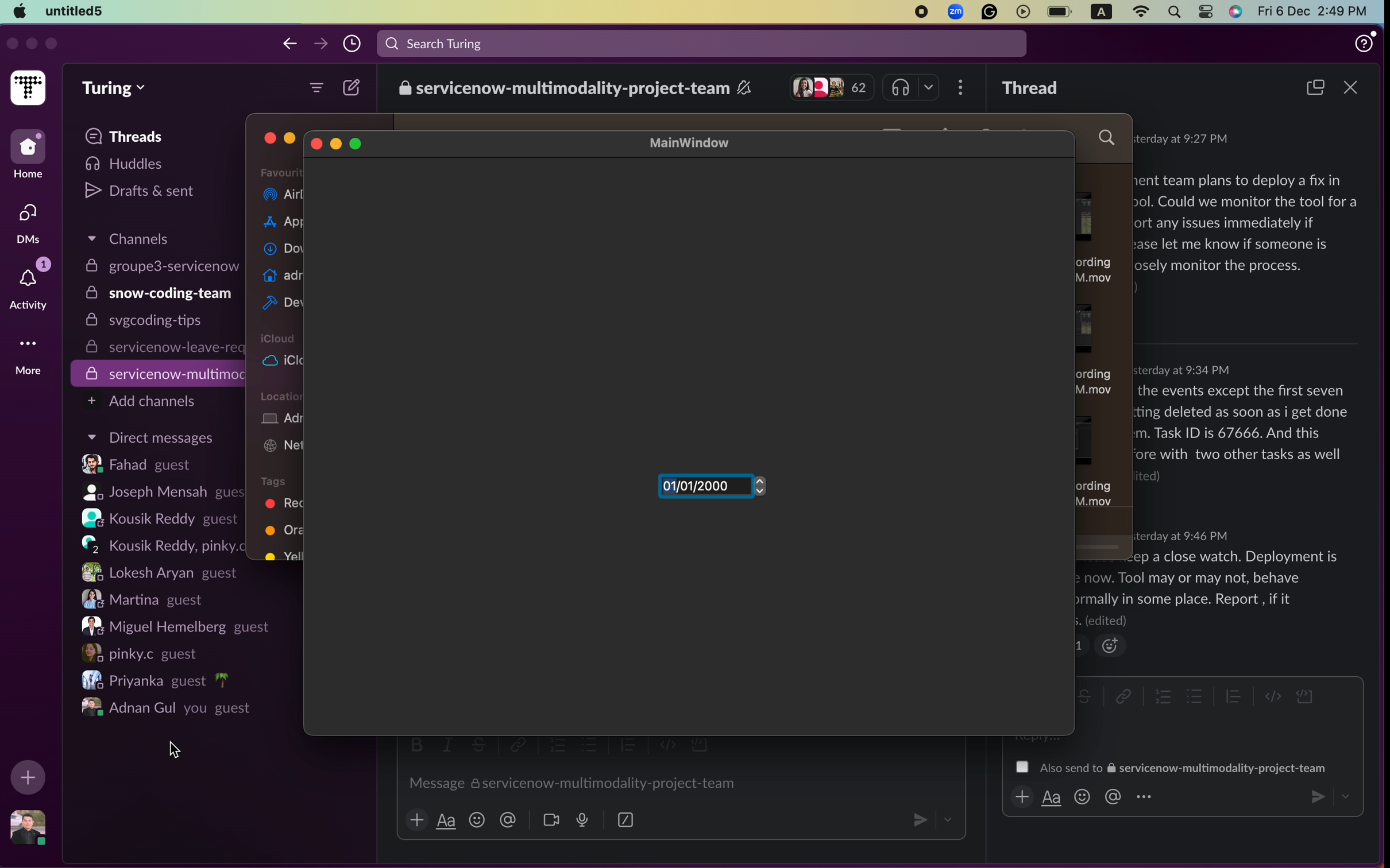  I want to click on mainwindow, so click(700, 143).